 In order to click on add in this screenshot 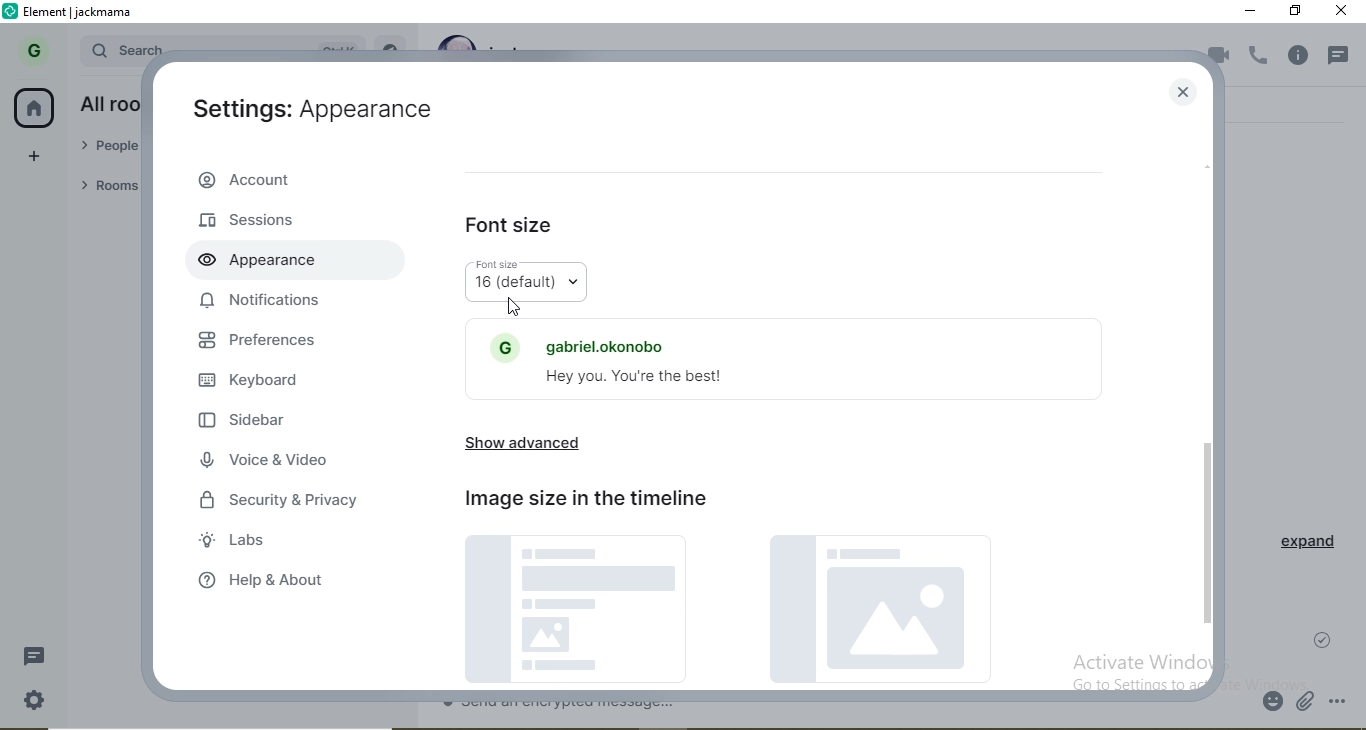, I will do `click(36, 157)`.